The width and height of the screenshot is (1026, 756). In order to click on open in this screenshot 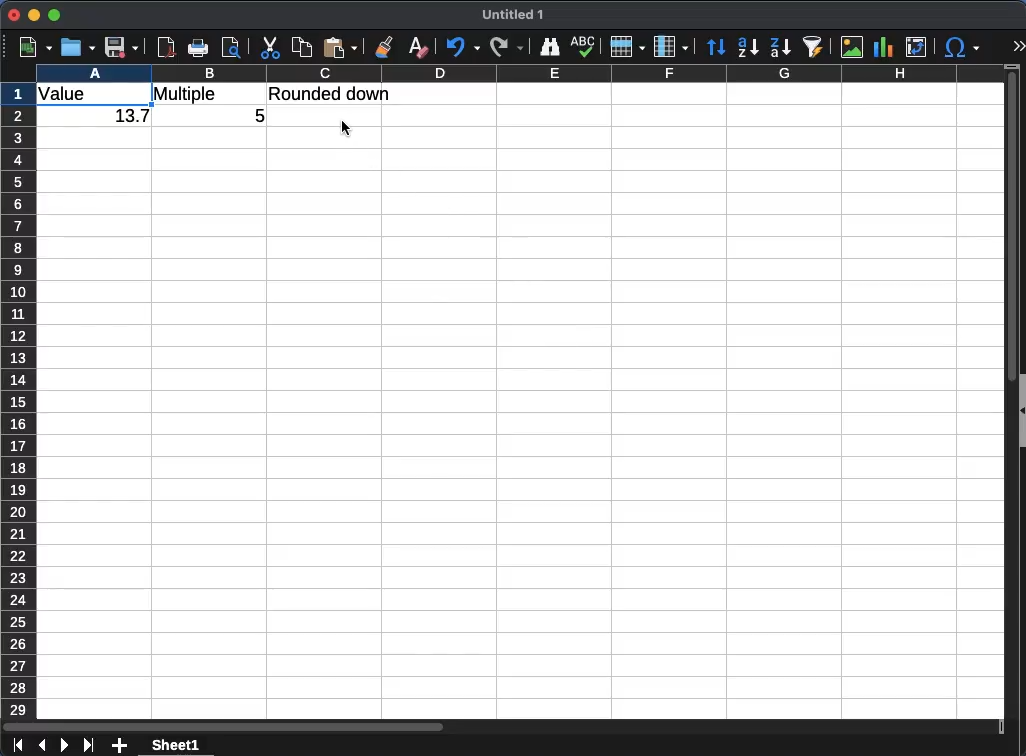, I will do `click(78, 47)`.